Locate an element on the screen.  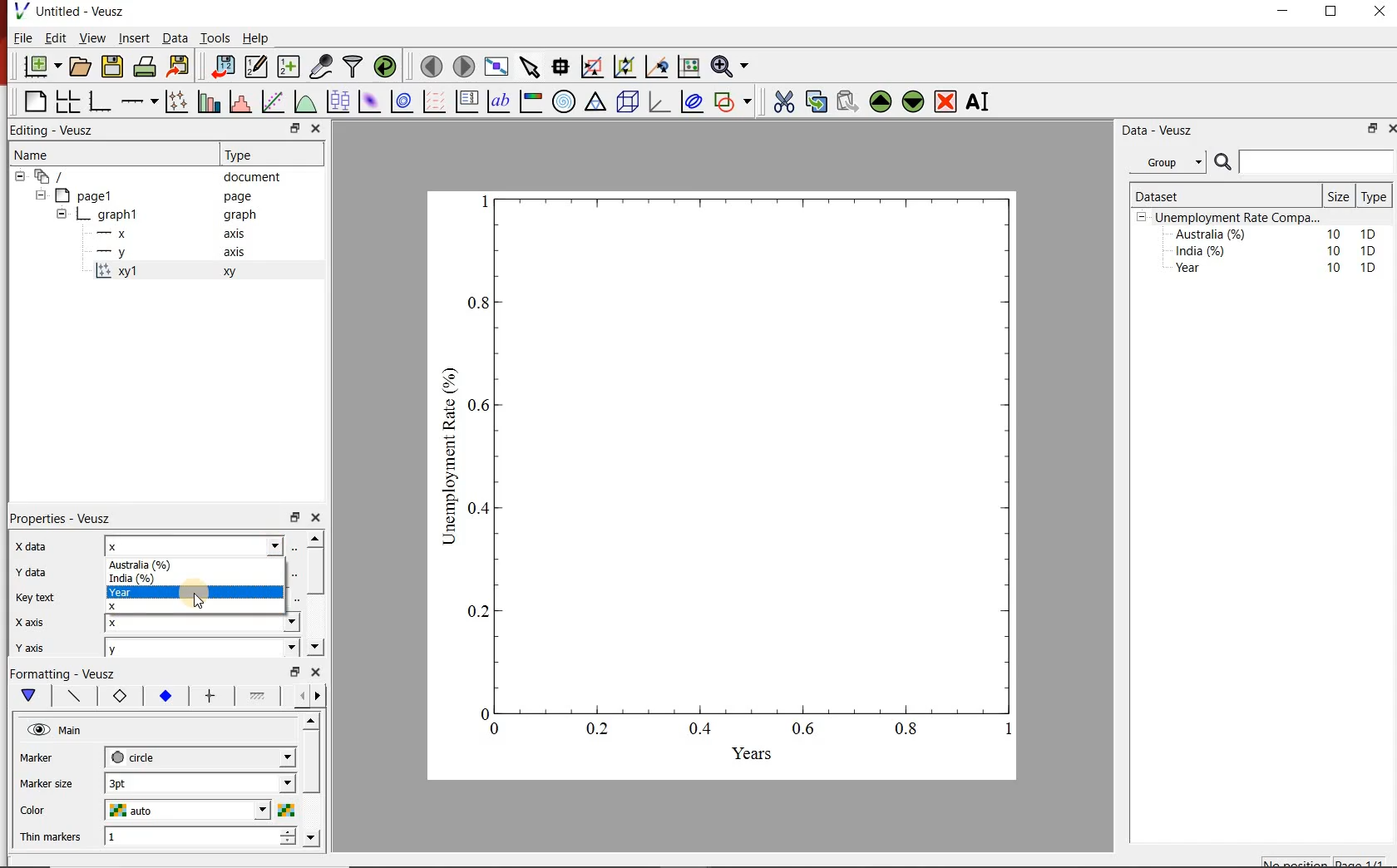
Marker size is located at coordinates (48, 782).